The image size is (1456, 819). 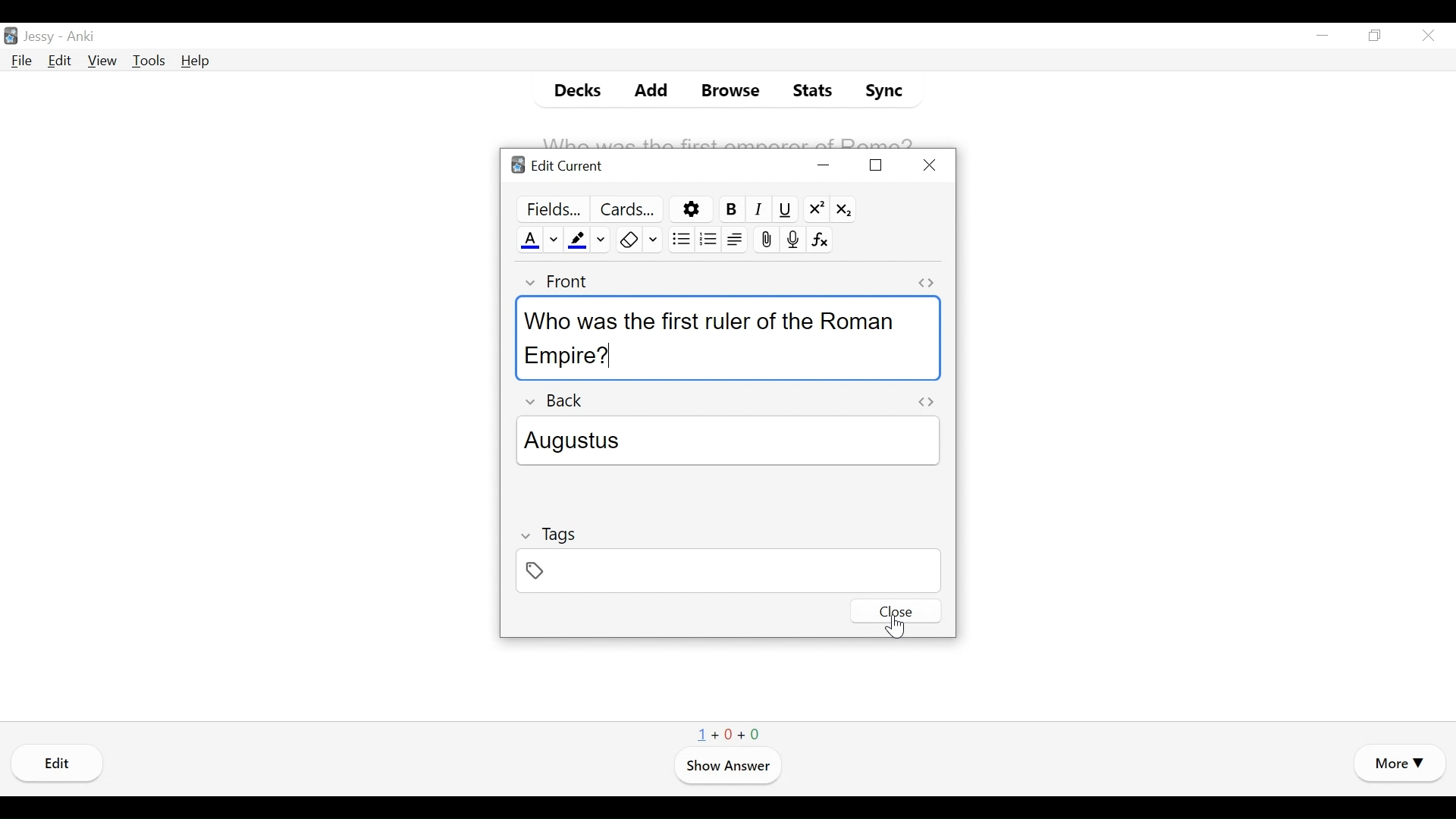 What do you see at coordinates (1323, 36) in the screenshot?
I see `minimize` at bounding box center [1323, 36].